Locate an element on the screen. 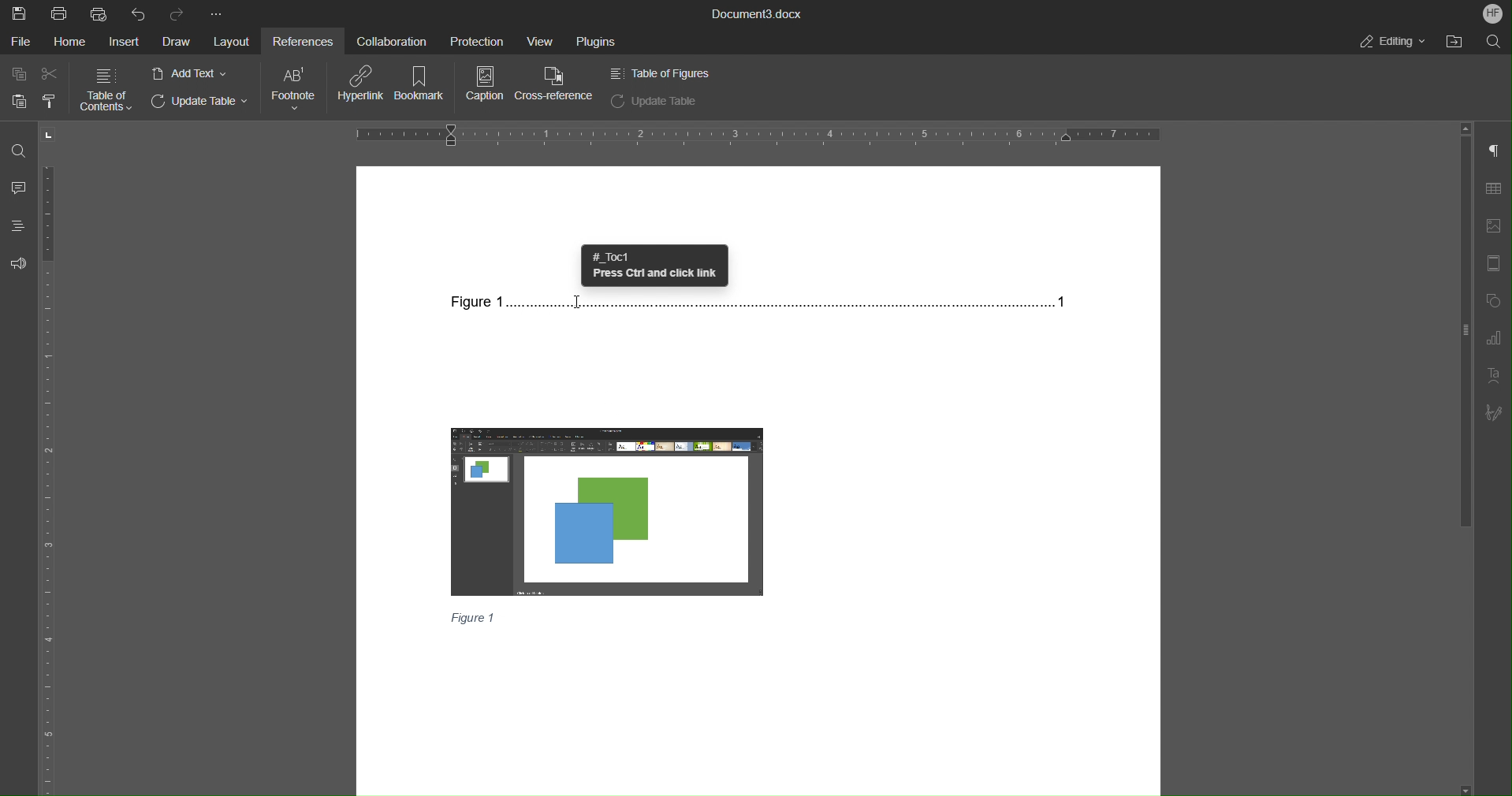 This screenshot has width=1512, height=796. Footnote is located at coordinates (295, 88).